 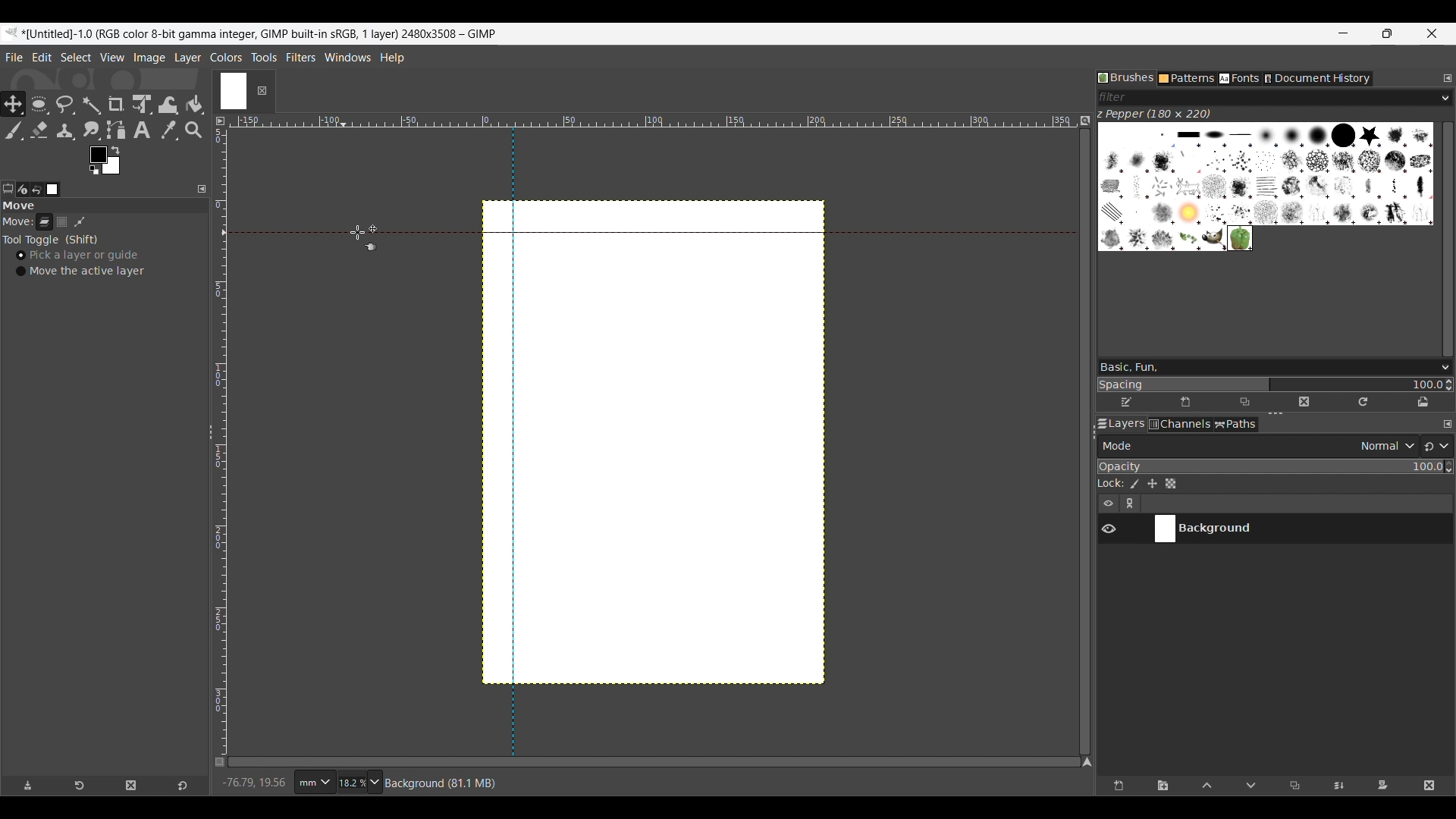 What do you see at coordinates (1087, 762) in the screenshot?
I see `Navigate the image display` at bounding box center [1087, 762].